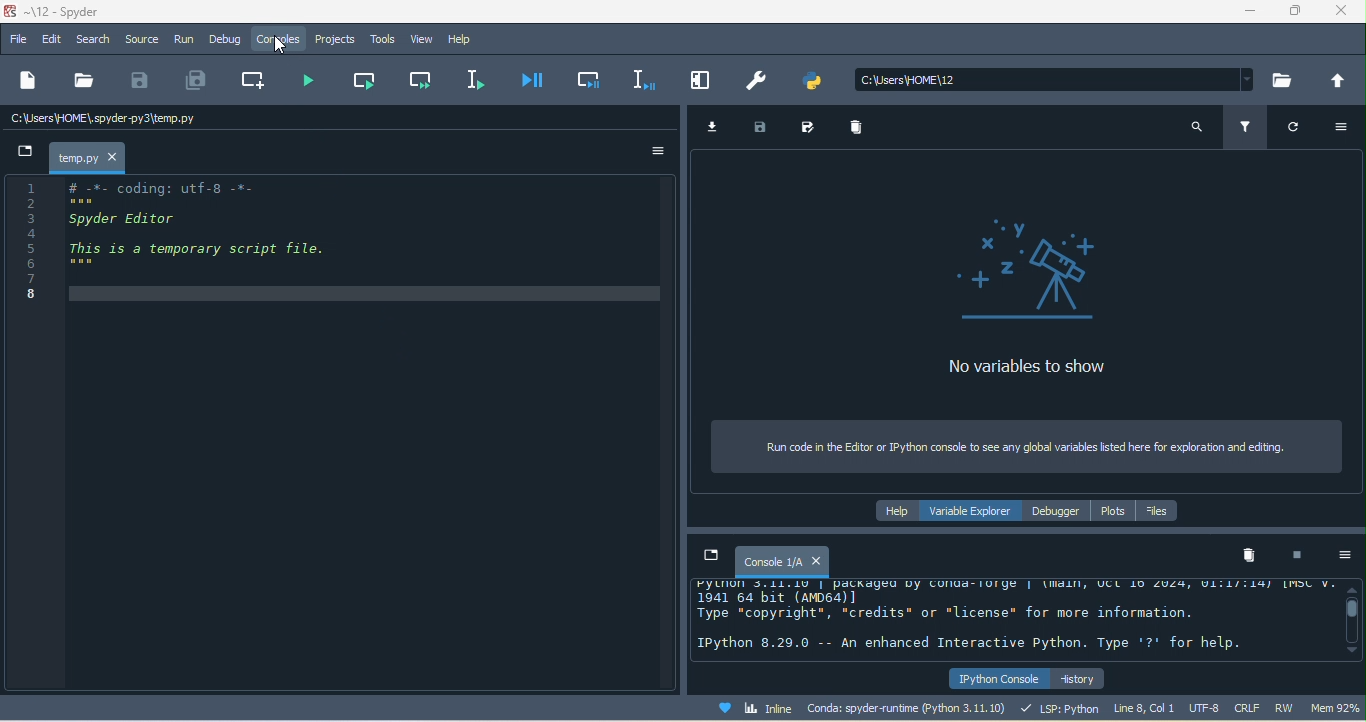 The height and width of the screenshot is (722, 1366). Describe the element at coordinates (364, 83) in the screenshot. I see `run current cell` at that location.